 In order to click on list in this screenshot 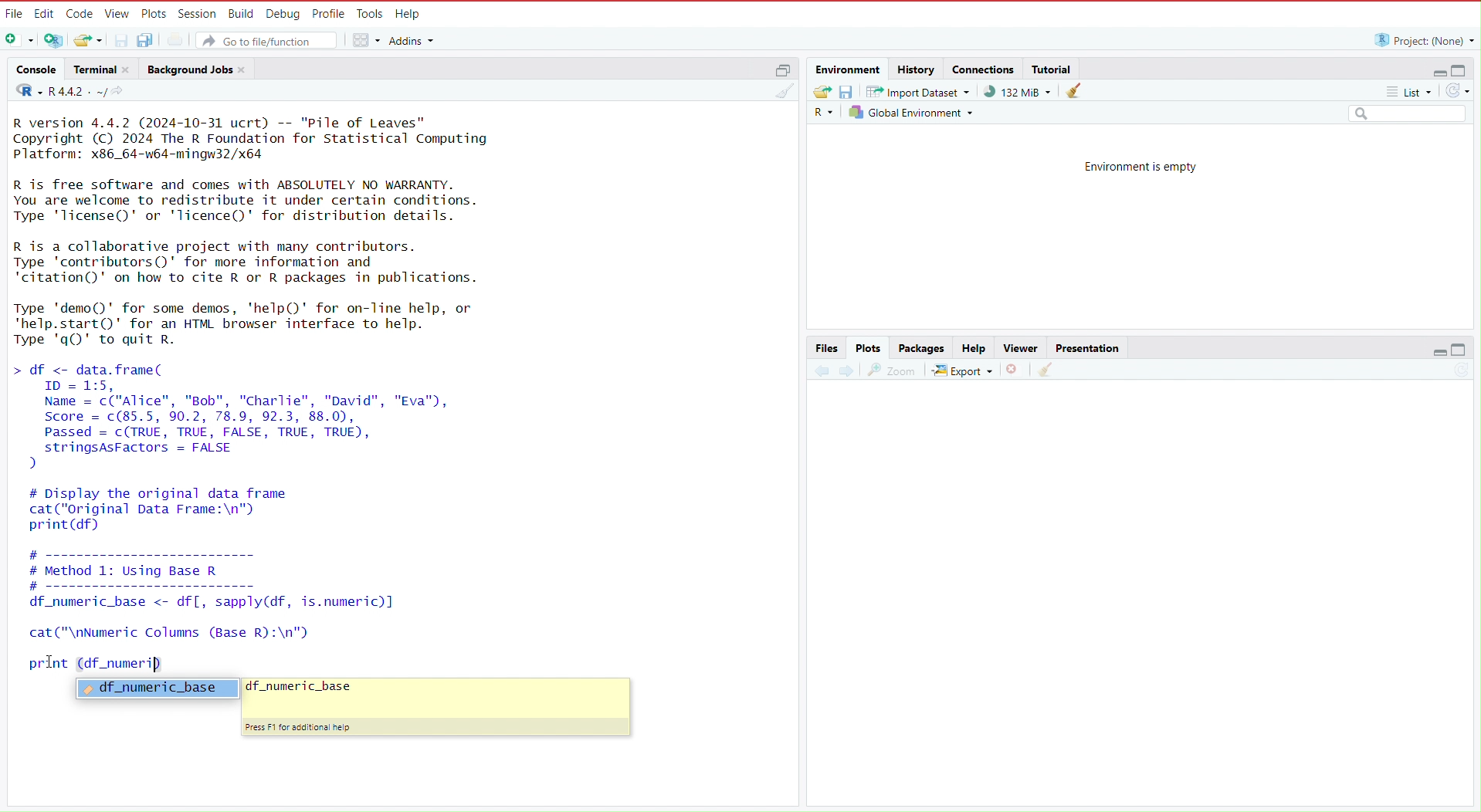, I will do `click(1415, 91)`.